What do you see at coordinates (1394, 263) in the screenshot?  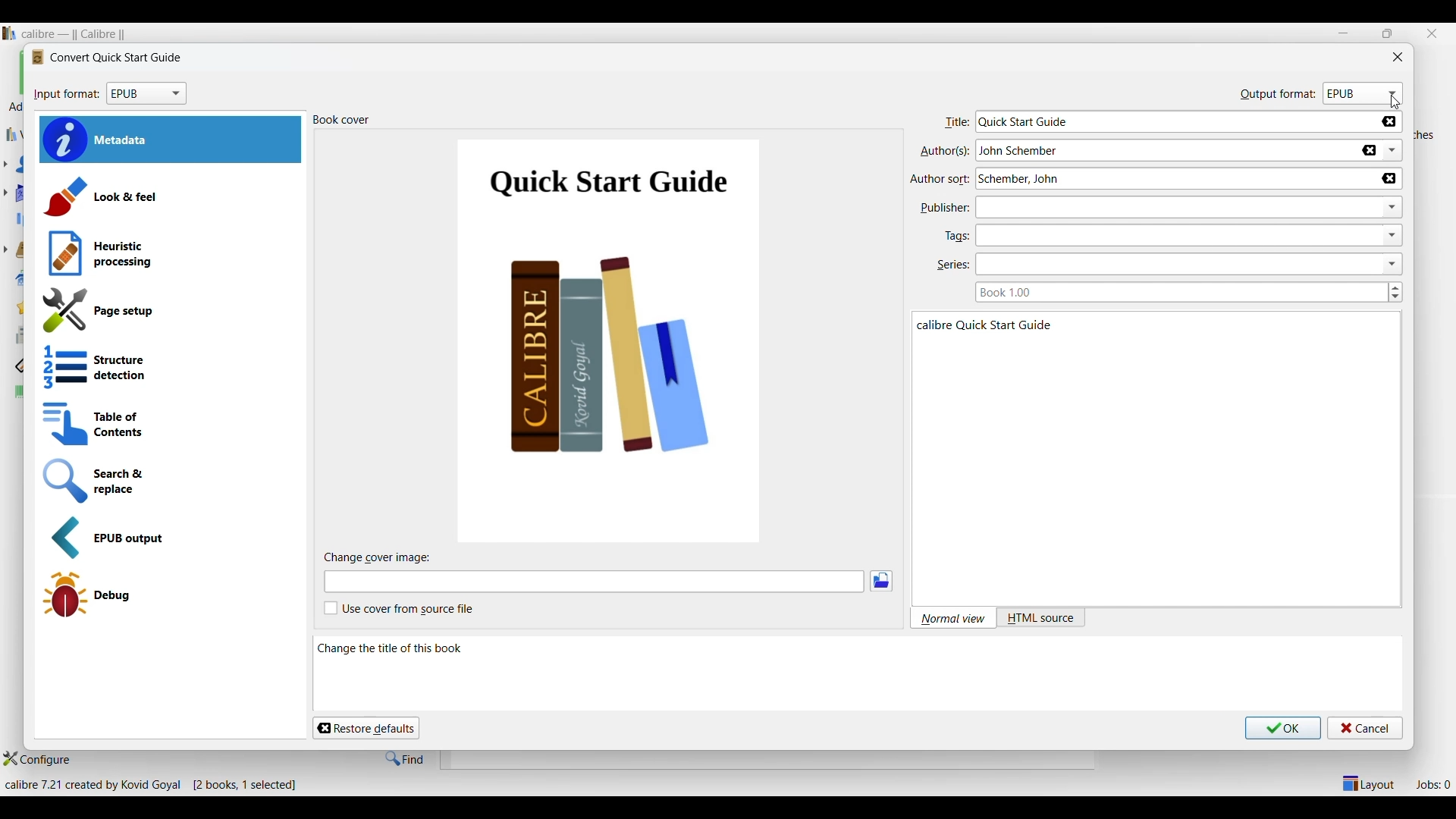 I see `dropdown` at bounding box center [1394, 263].